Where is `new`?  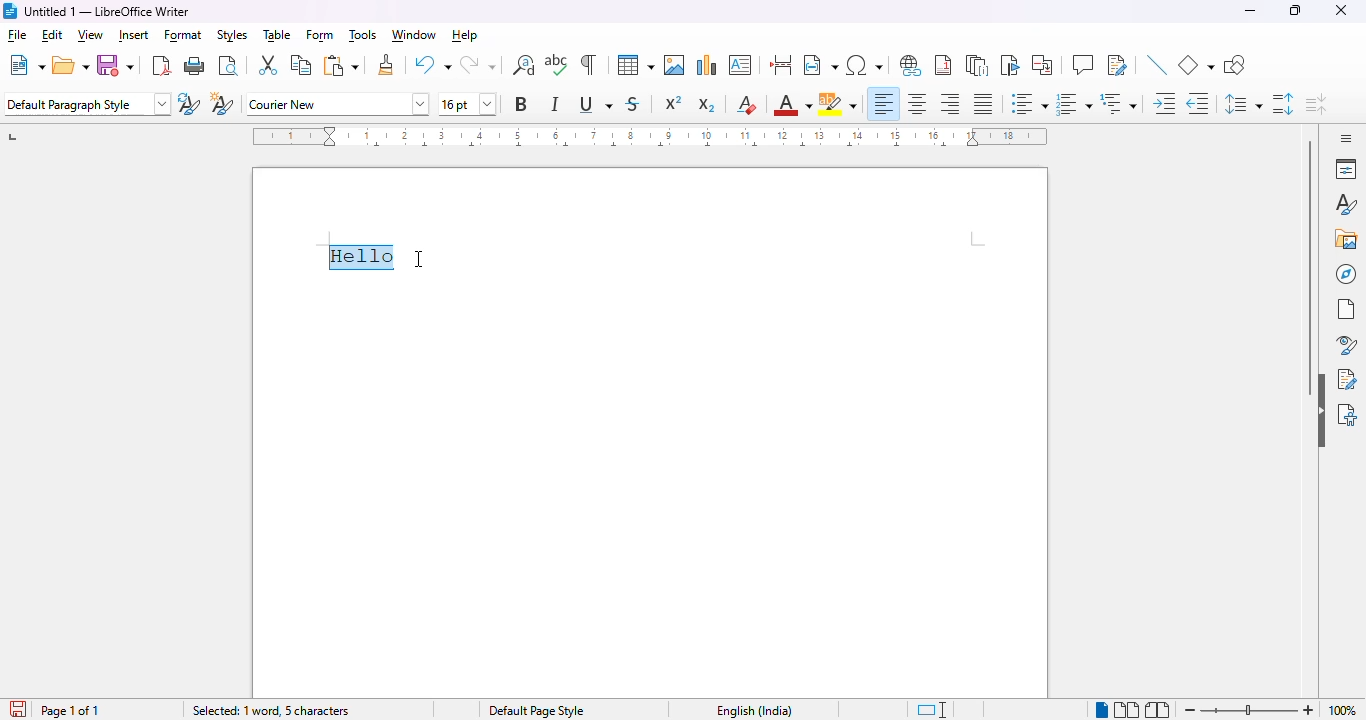 new is located at coordinates (27, 64).